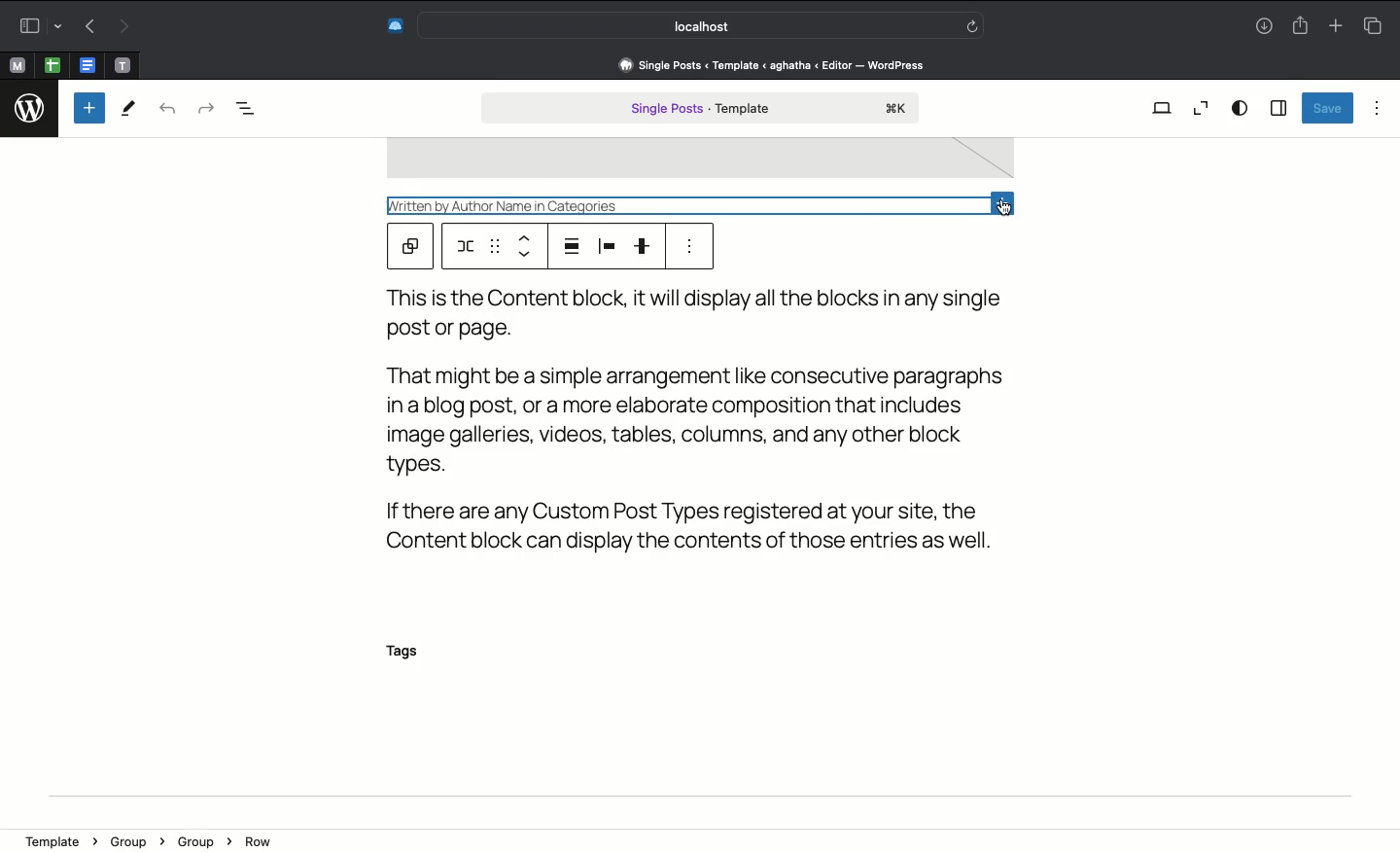 The height and width of the screenshot is (852, 1400). Describe the element at coordinates (1261, 27) in the screenshot. I see `Download` at that location.